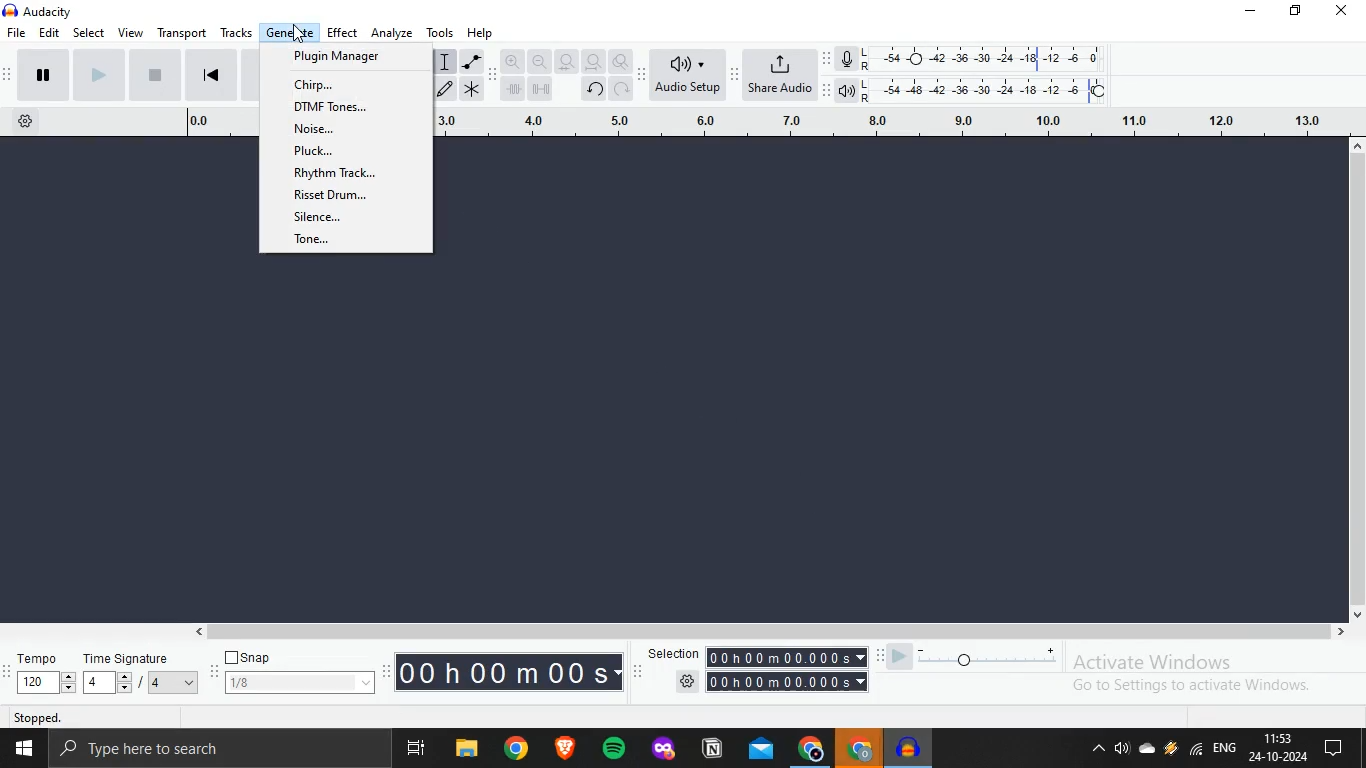 Image resolution: width=1366 pixels, height=768 pixels. I want to click on Time Shift, so click(513, 89).